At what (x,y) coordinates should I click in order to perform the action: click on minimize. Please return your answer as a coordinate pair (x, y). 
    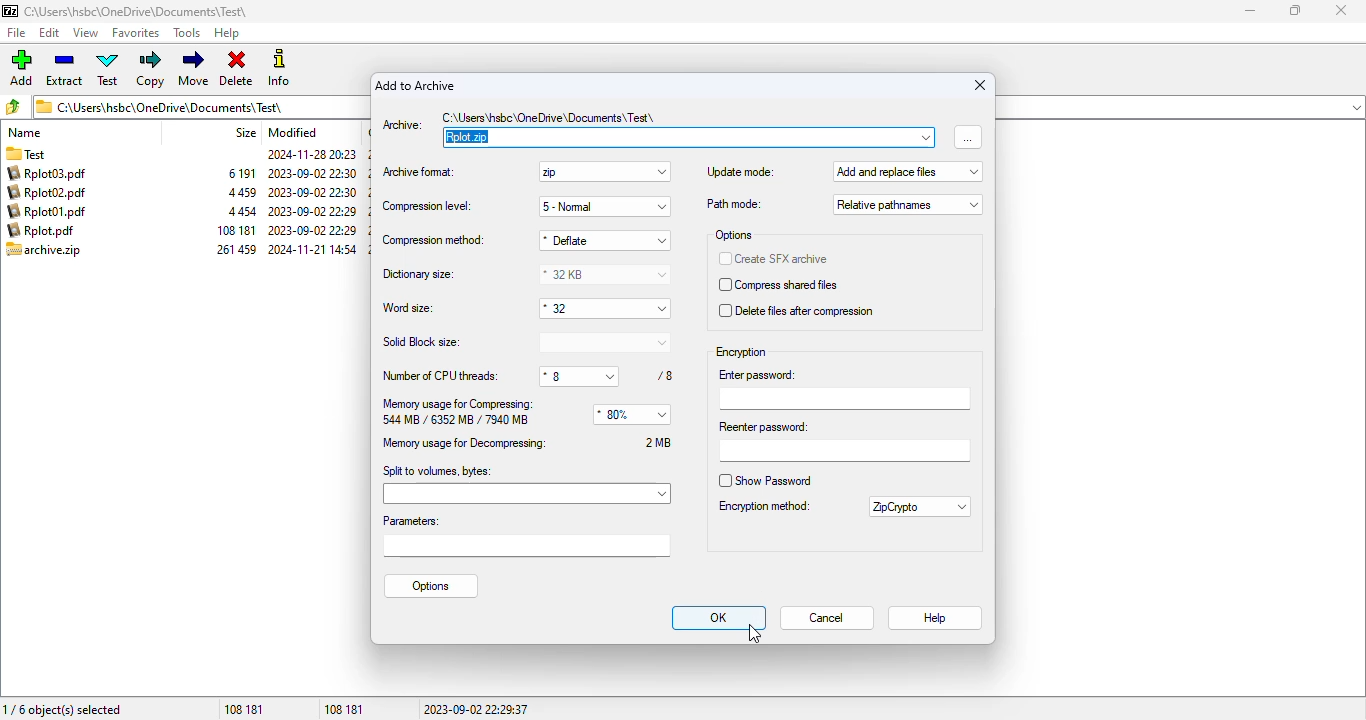
    Looking at the image, I should click on (1252, 11).